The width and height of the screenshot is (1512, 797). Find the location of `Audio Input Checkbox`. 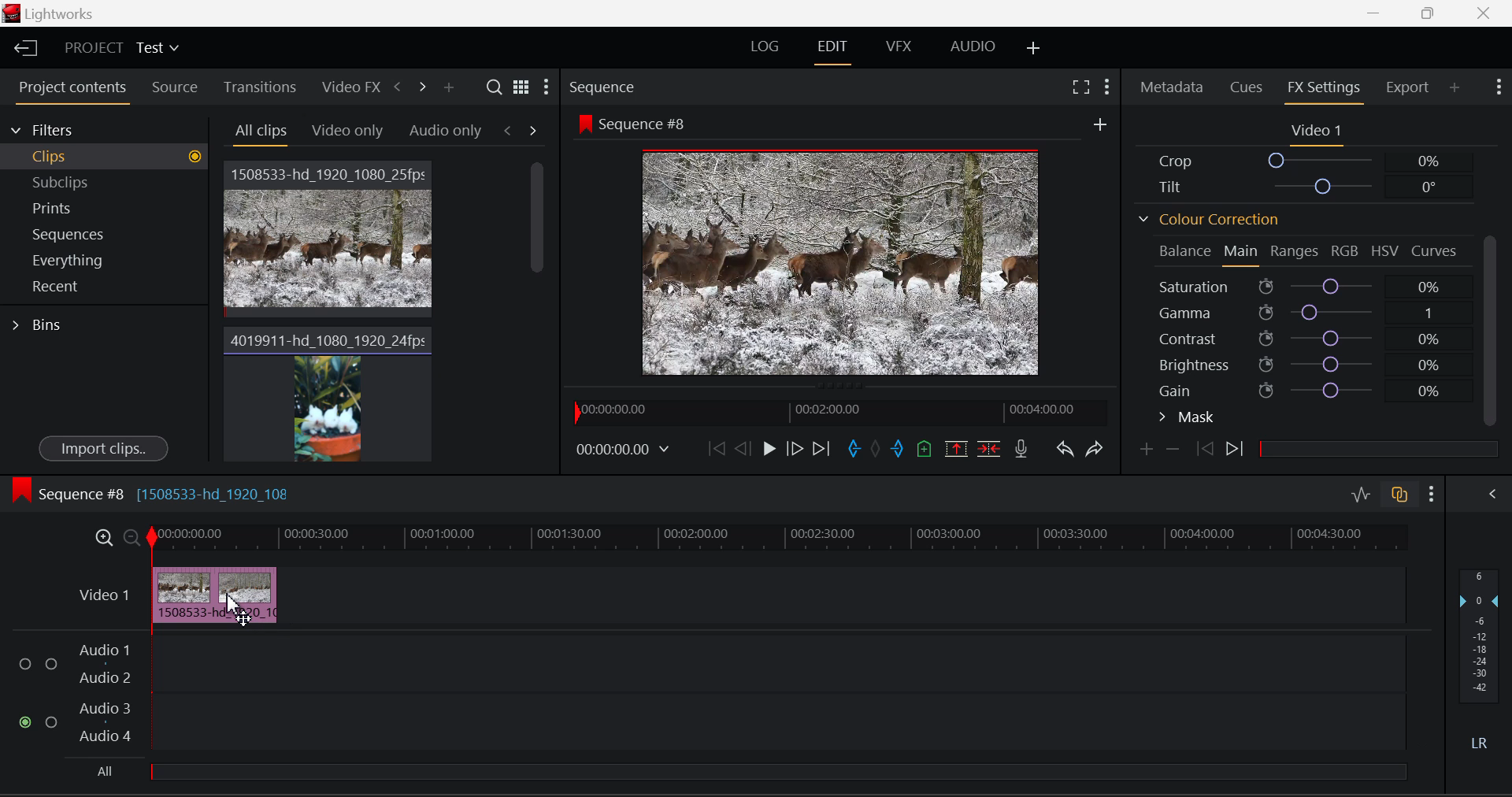

Audio Input Checkbox is located at coordinates (50, 664).